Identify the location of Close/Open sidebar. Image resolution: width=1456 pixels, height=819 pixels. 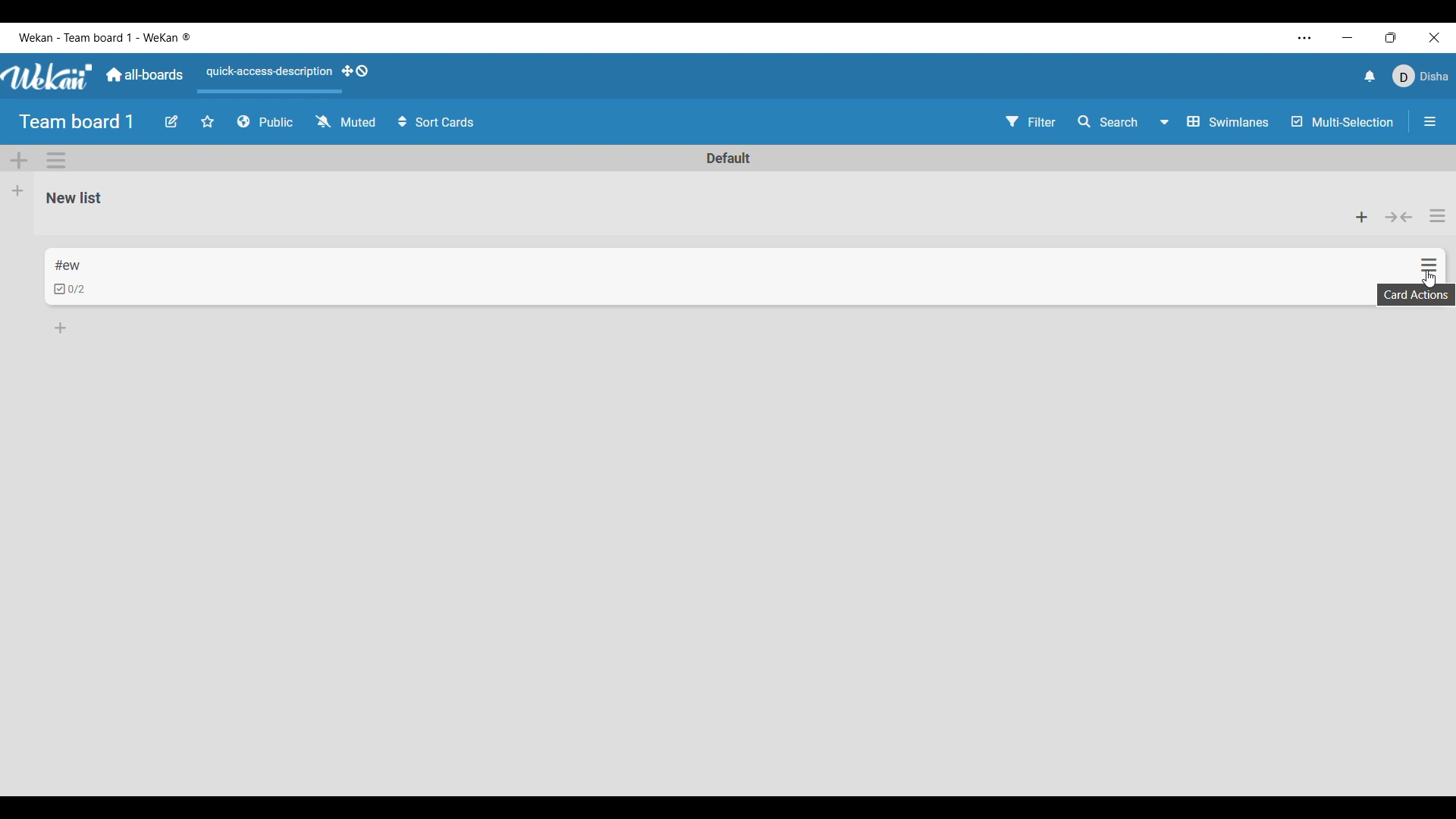
(1430, 122).